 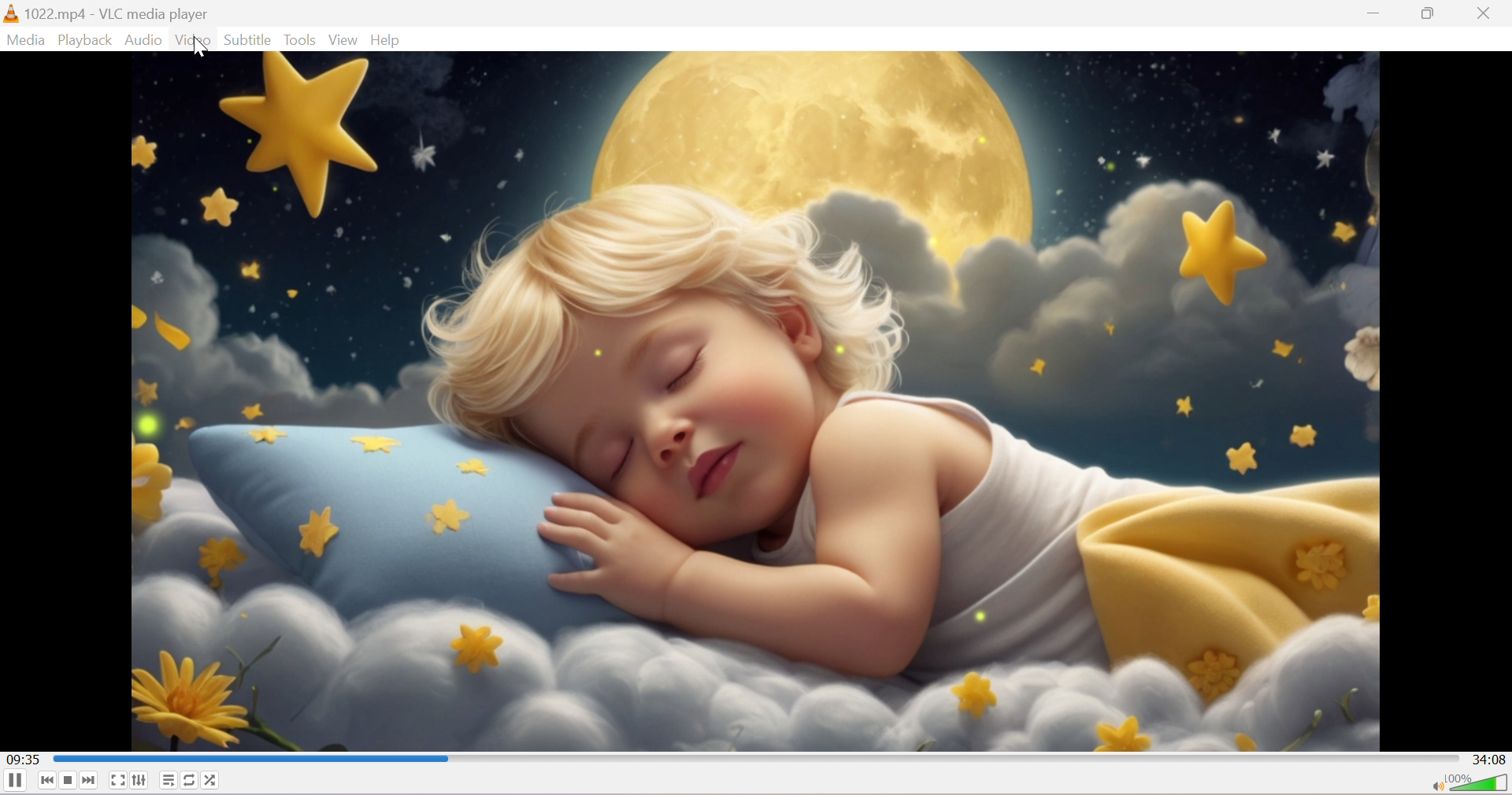 I want to click on Audio, so click(x=143, y=41).